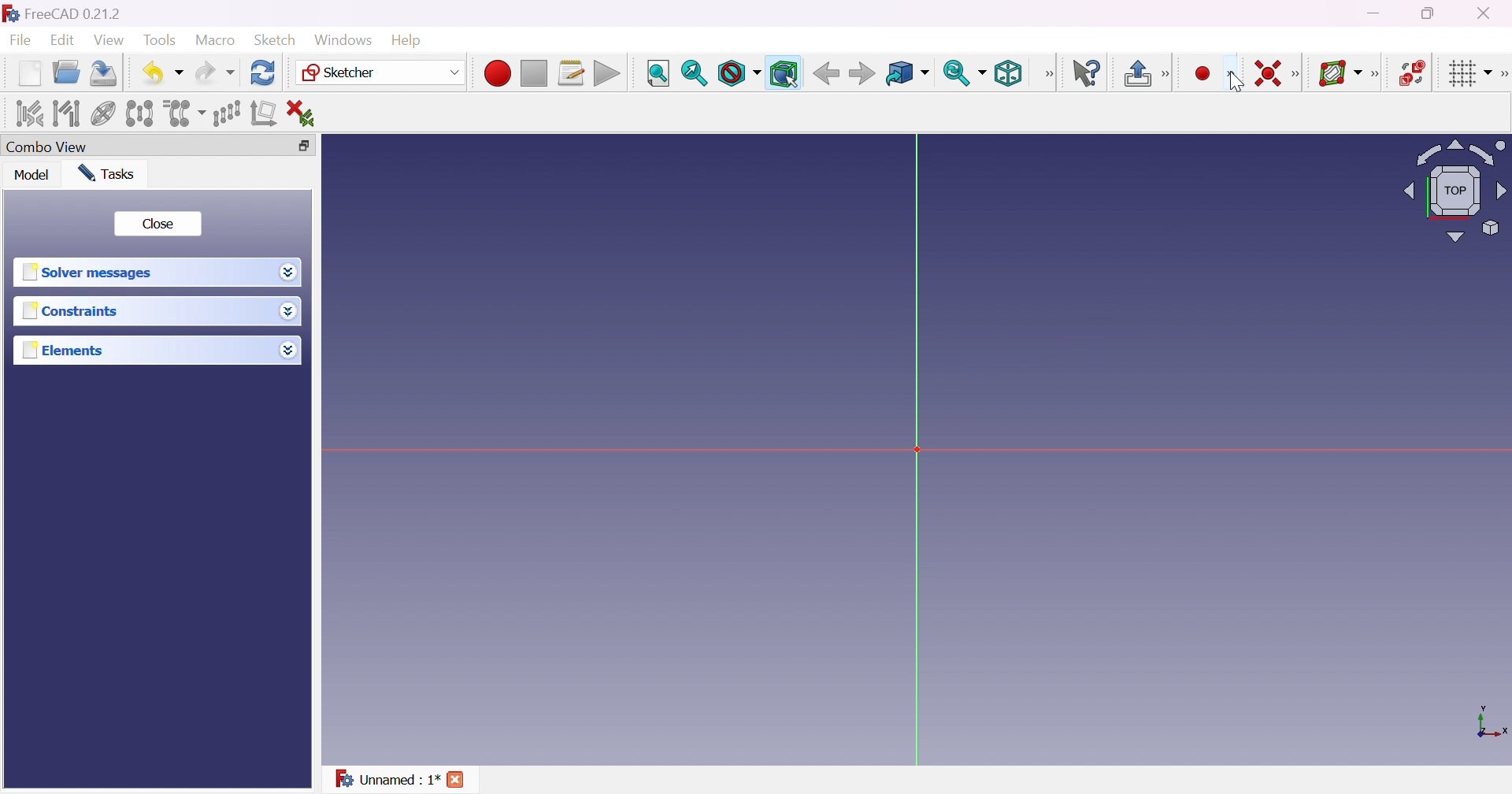 This screenshot has width=1512, height=794. Describe the element at coordinates (404, 40) in the screenshot. I see `Help` at that location.